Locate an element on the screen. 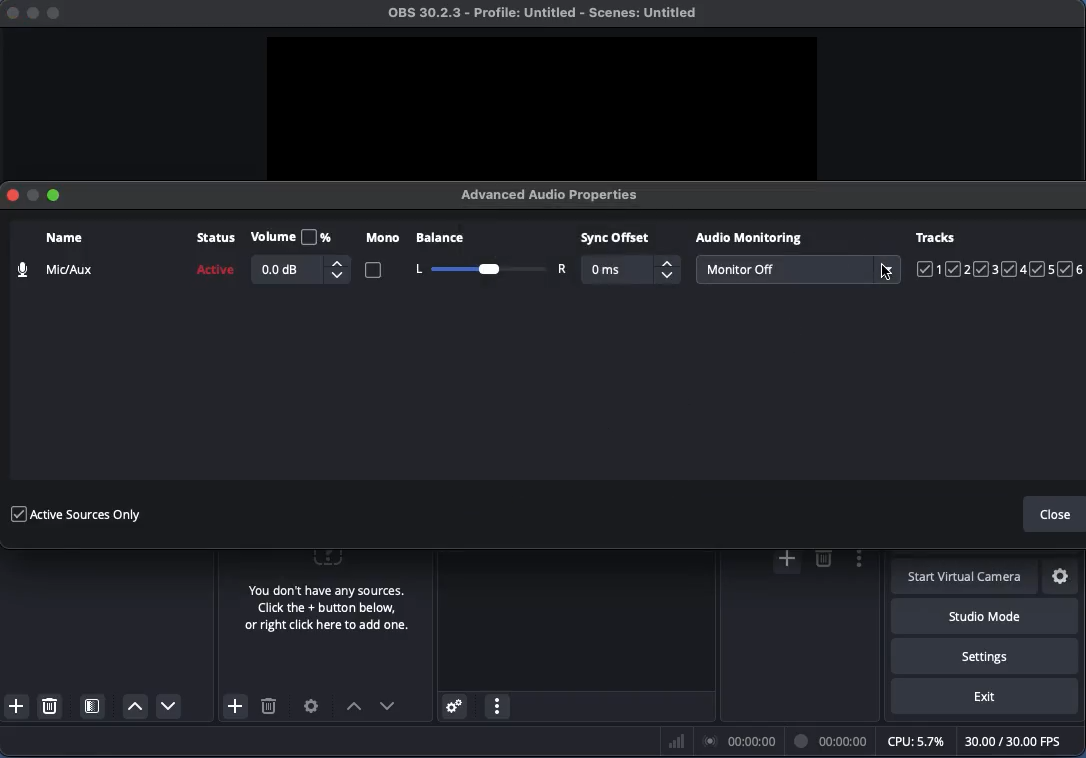 The width and height of the screenshot is (1086, 758). Close is located at coordinates (10, 193).